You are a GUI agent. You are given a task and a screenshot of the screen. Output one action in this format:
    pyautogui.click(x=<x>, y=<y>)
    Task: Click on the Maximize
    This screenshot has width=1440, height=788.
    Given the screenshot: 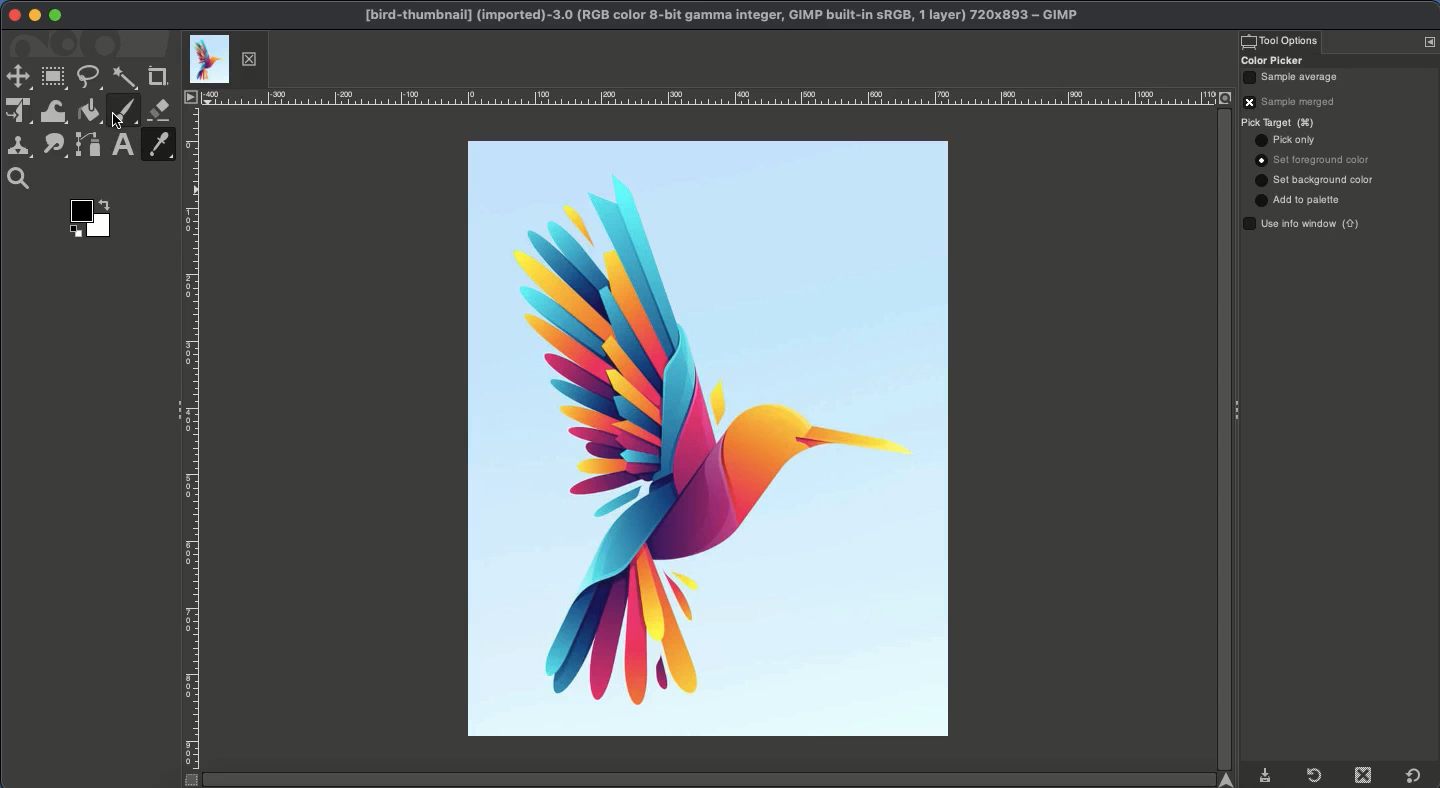 What is the action you would take?
    pyautogui.click(x=55, y=15)
    